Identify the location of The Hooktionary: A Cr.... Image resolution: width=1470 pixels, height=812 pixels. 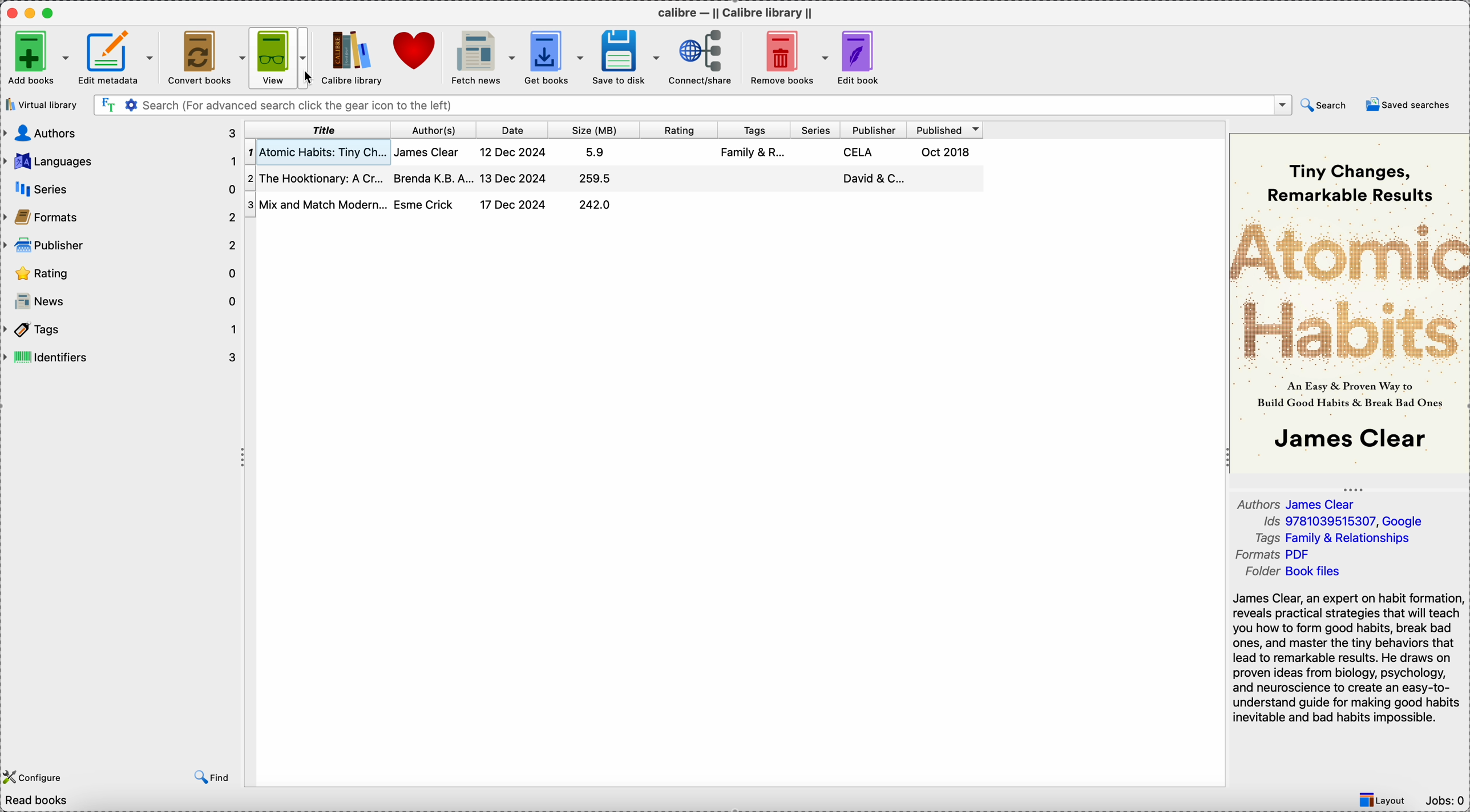
(315, 176).